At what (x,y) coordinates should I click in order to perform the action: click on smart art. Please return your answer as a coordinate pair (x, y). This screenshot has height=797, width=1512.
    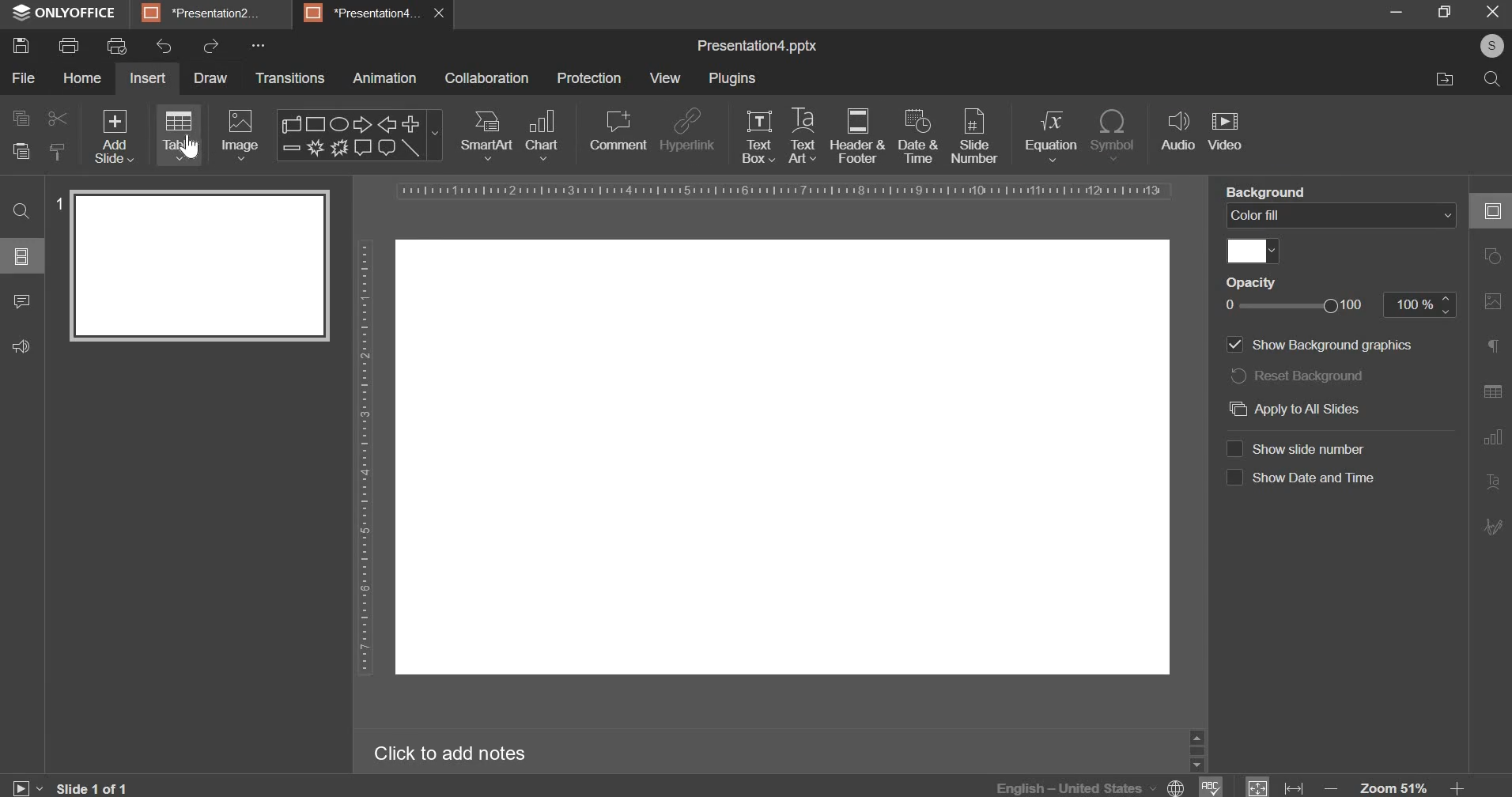
    Looking at the image, I should click on (486, 136).